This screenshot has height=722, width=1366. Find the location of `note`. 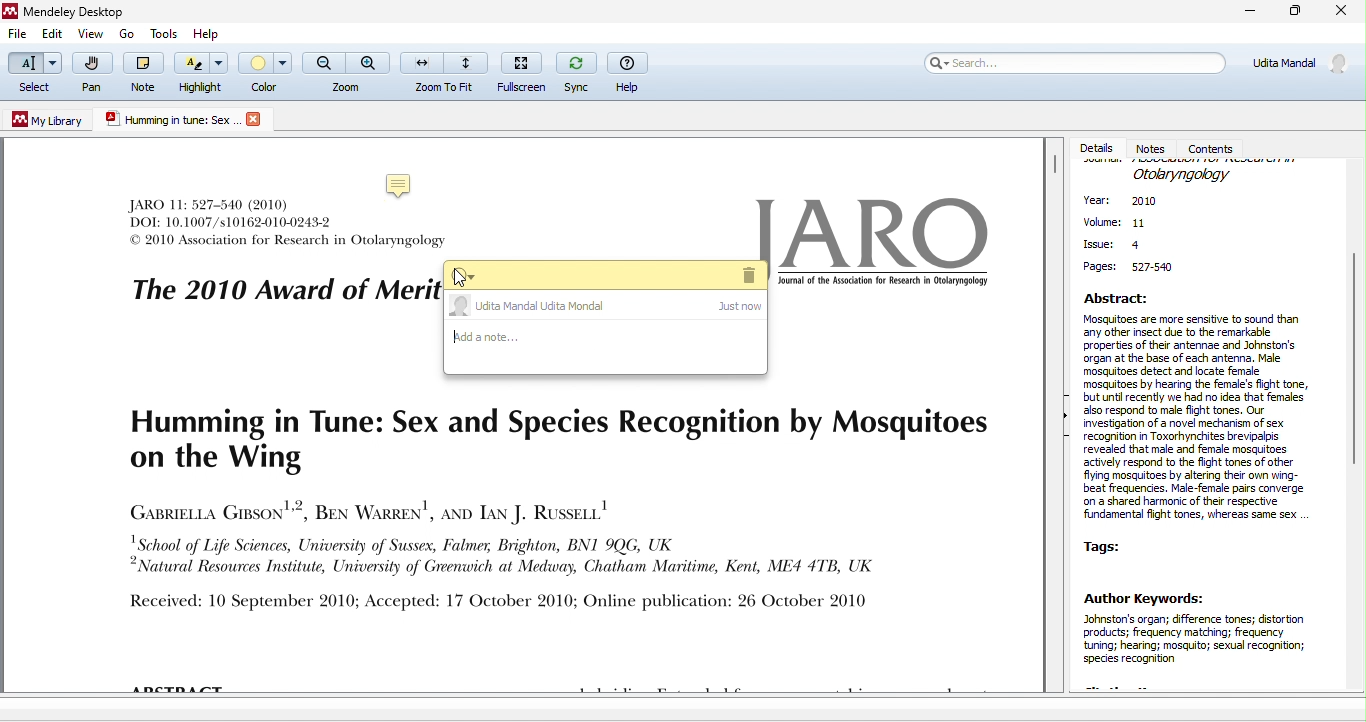

note is located at coordinates (140, 71).